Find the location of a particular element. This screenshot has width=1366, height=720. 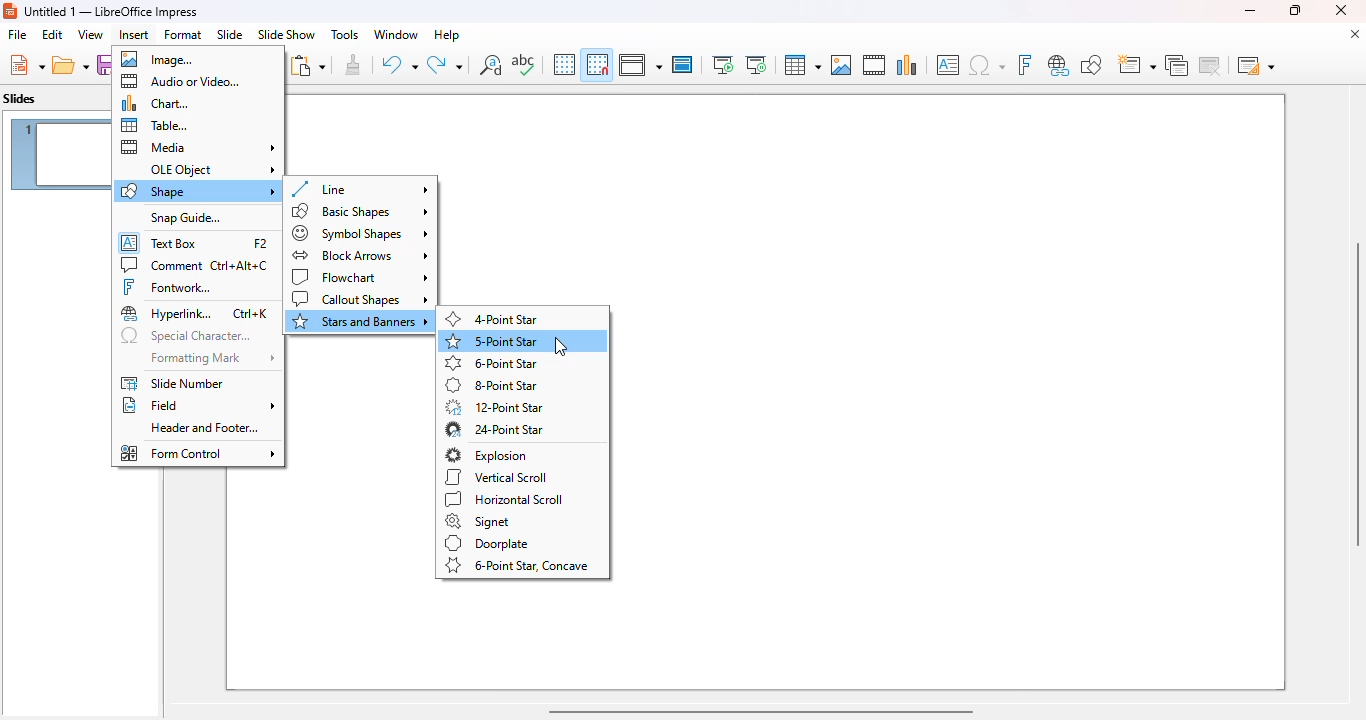

master slide is located at coordinates (682, 64).